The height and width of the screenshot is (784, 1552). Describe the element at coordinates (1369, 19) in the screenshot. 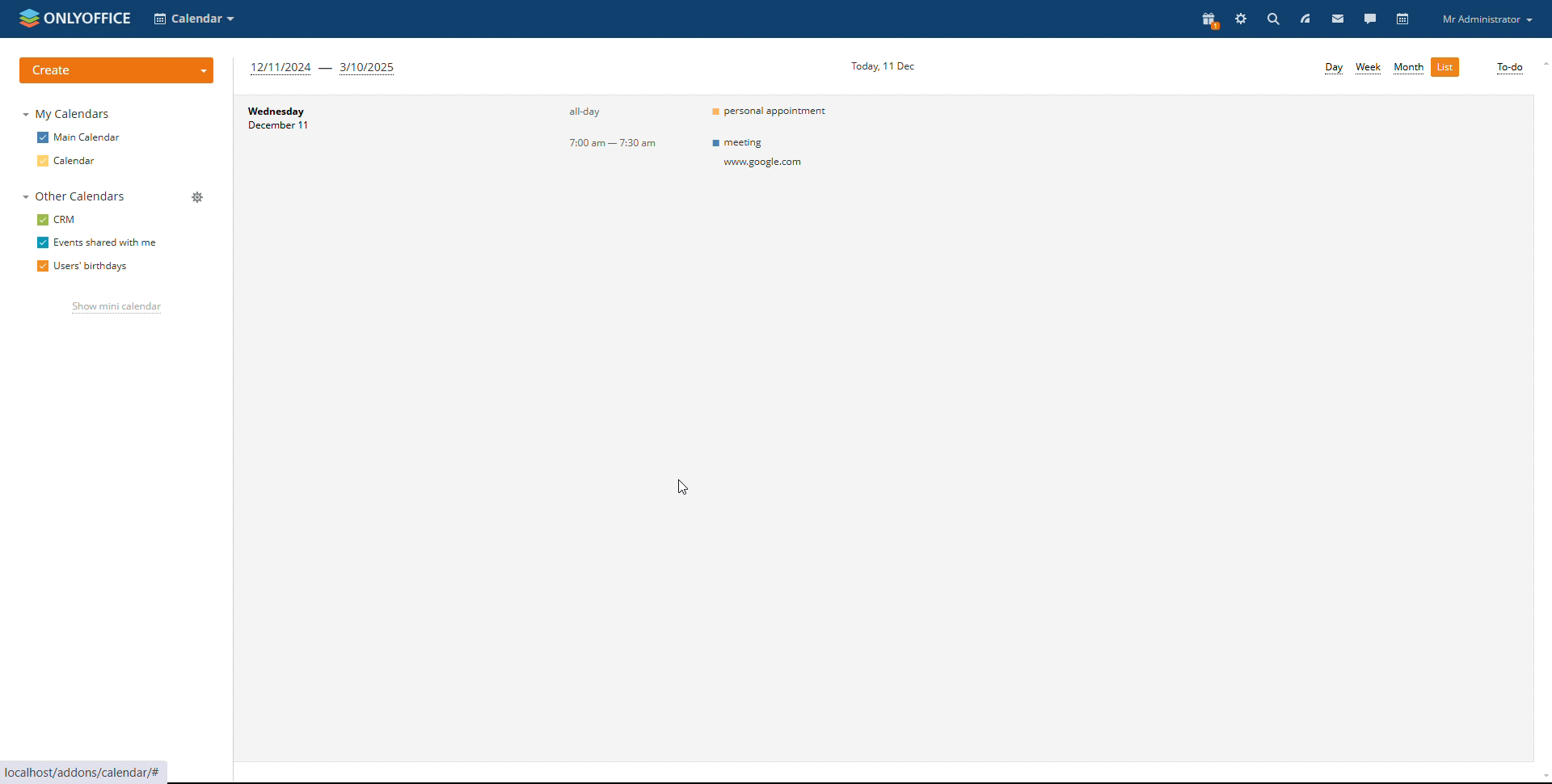

I see `talk` at that location.